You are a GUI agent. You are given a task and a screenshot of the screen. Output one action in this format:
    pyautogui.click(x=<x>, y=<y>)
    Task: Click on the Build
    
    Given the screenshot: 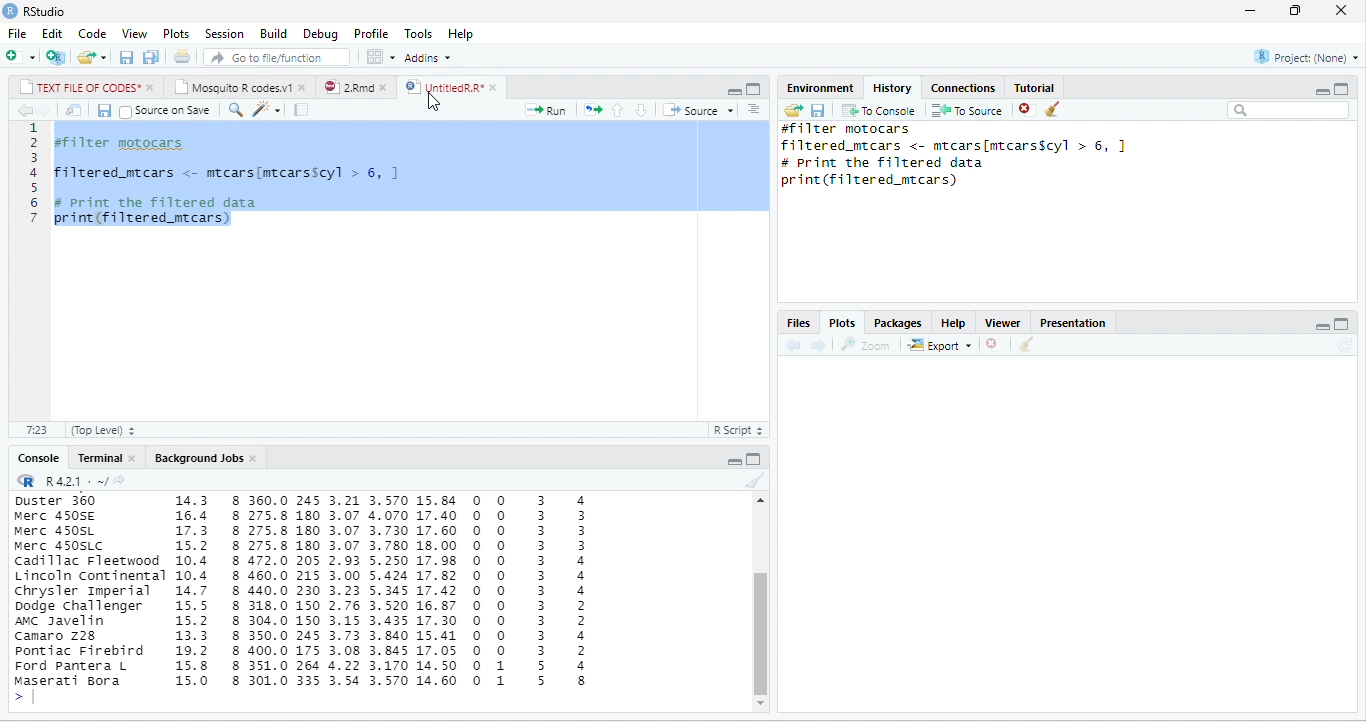 What is the action you would take?
    pyautogui.click(x=273, y=33)
    